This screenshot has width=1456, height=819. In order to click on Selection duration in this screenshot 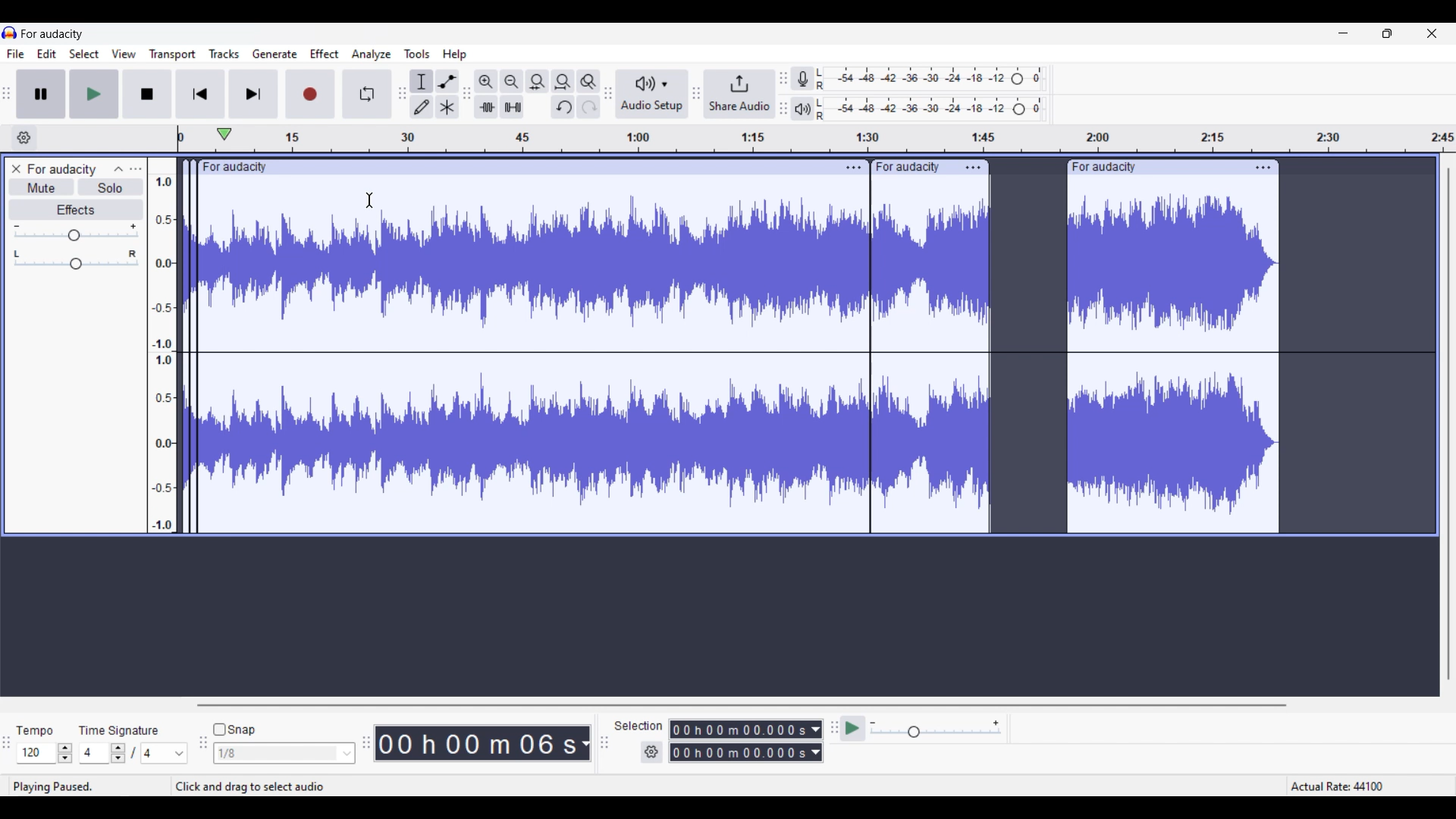, I will do `click(739, 741)`.